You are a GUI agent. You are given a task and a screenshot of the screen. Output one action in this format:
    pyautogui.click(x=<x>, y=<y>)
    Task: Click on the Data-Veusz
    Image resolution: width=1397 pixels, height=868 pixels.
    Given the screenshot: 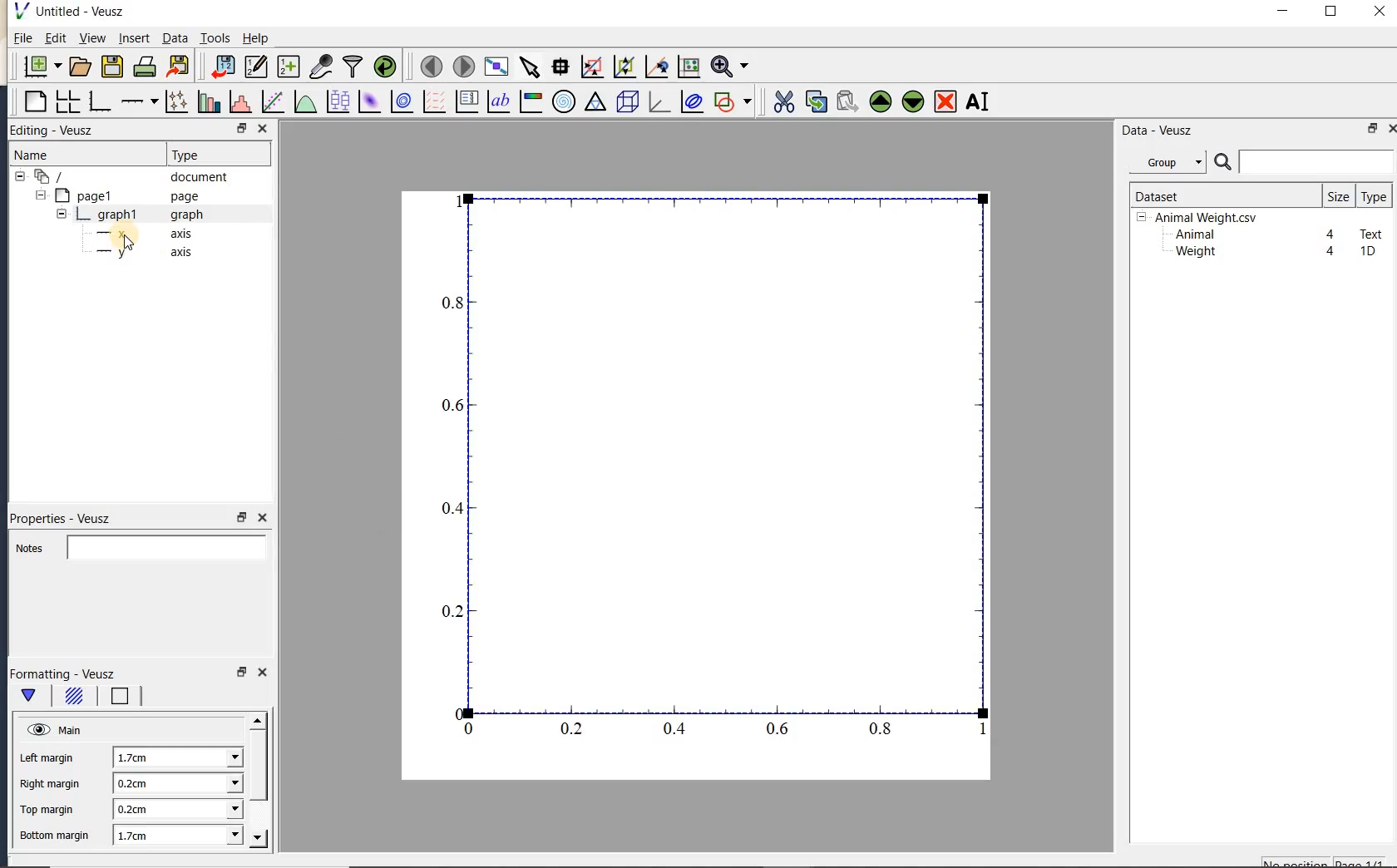 What is the action you would take?
    pyautogui.click(x=1158, y=131)
    